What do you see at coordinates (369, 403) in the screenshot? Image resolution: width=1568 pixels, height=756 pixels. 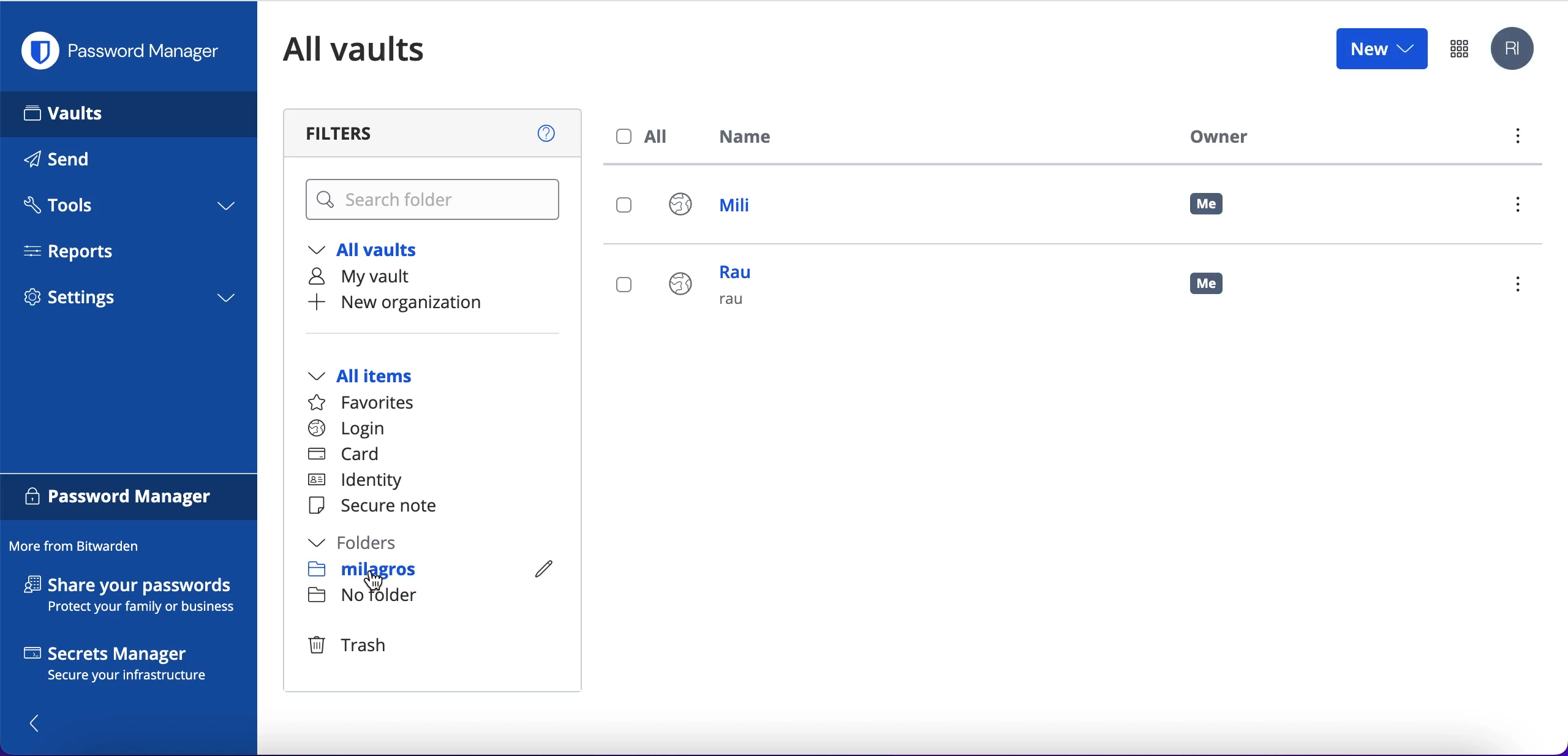 I see `favorites` at bounding box center [369, 403].